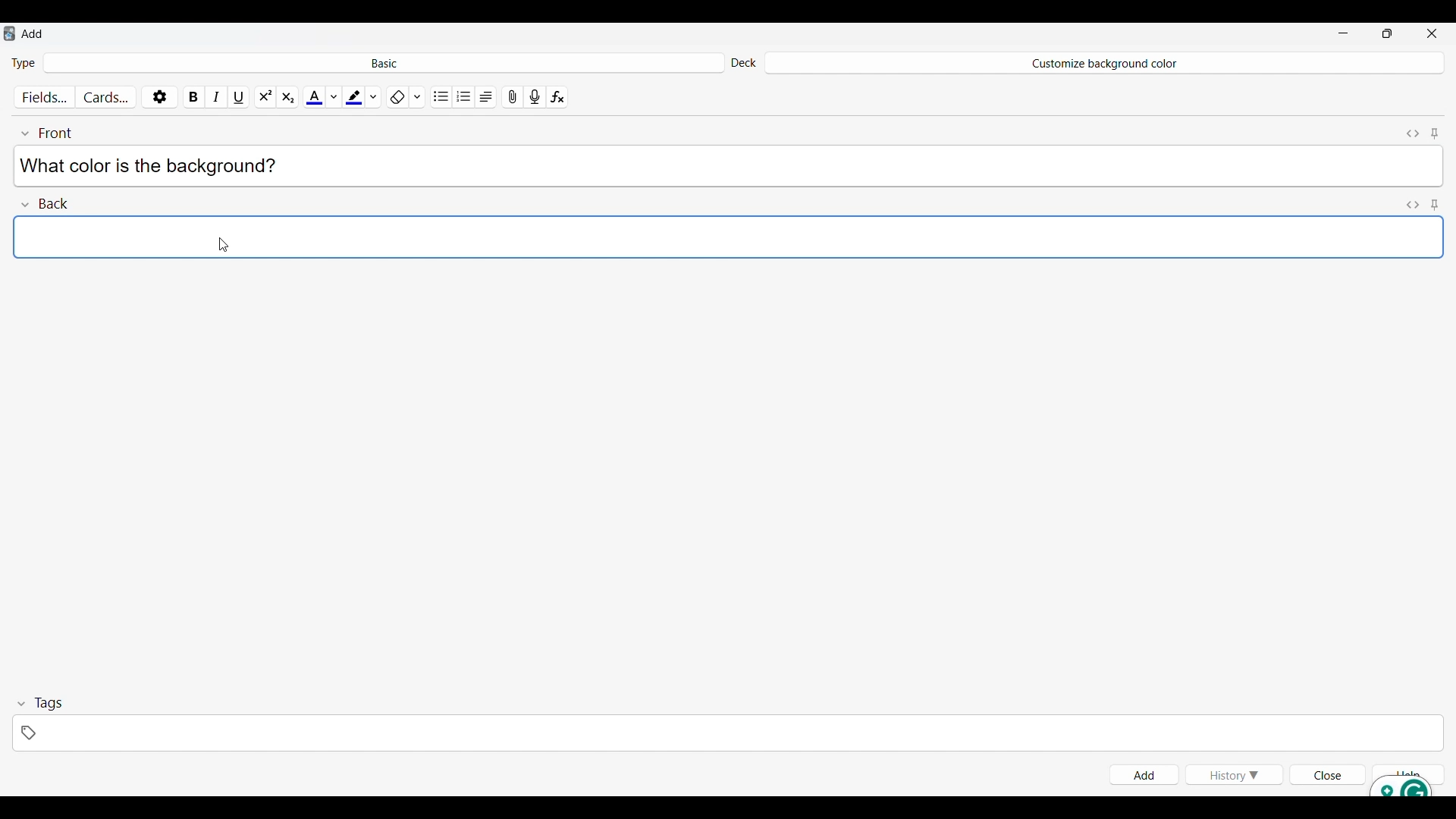 This screenshot has height=819, width=1456. What do you see at coordinates (194, 94) in the screenshot?
I see `Bold` at bounding box center [194, 94].